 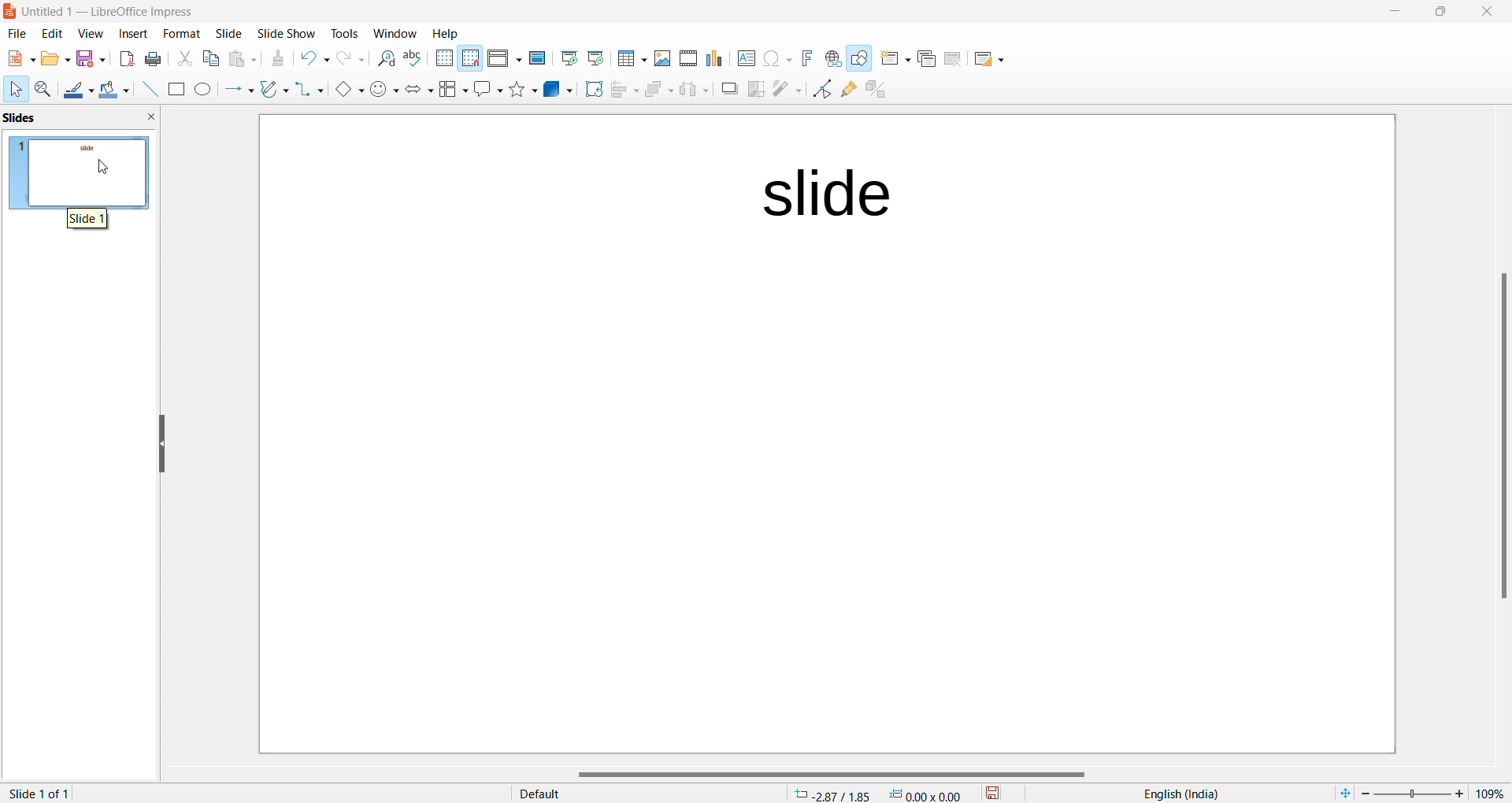 I want to click on Redo, so click(x=351, y=58).